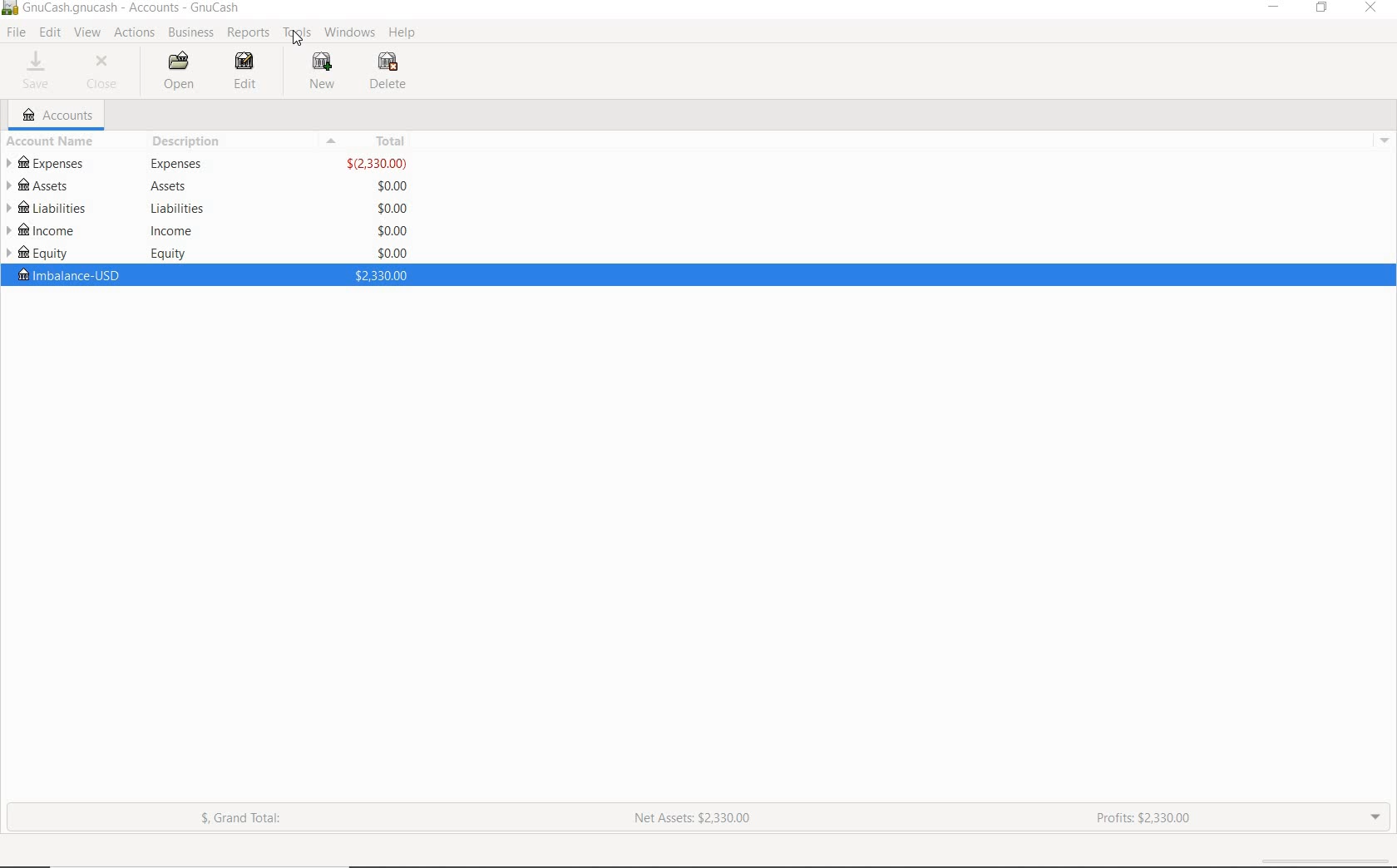 The image size is (1397, 868). What do you see at coordinates (183, 72) in the screenshot?
I see `OPEN` at bounding box center [183, 72].